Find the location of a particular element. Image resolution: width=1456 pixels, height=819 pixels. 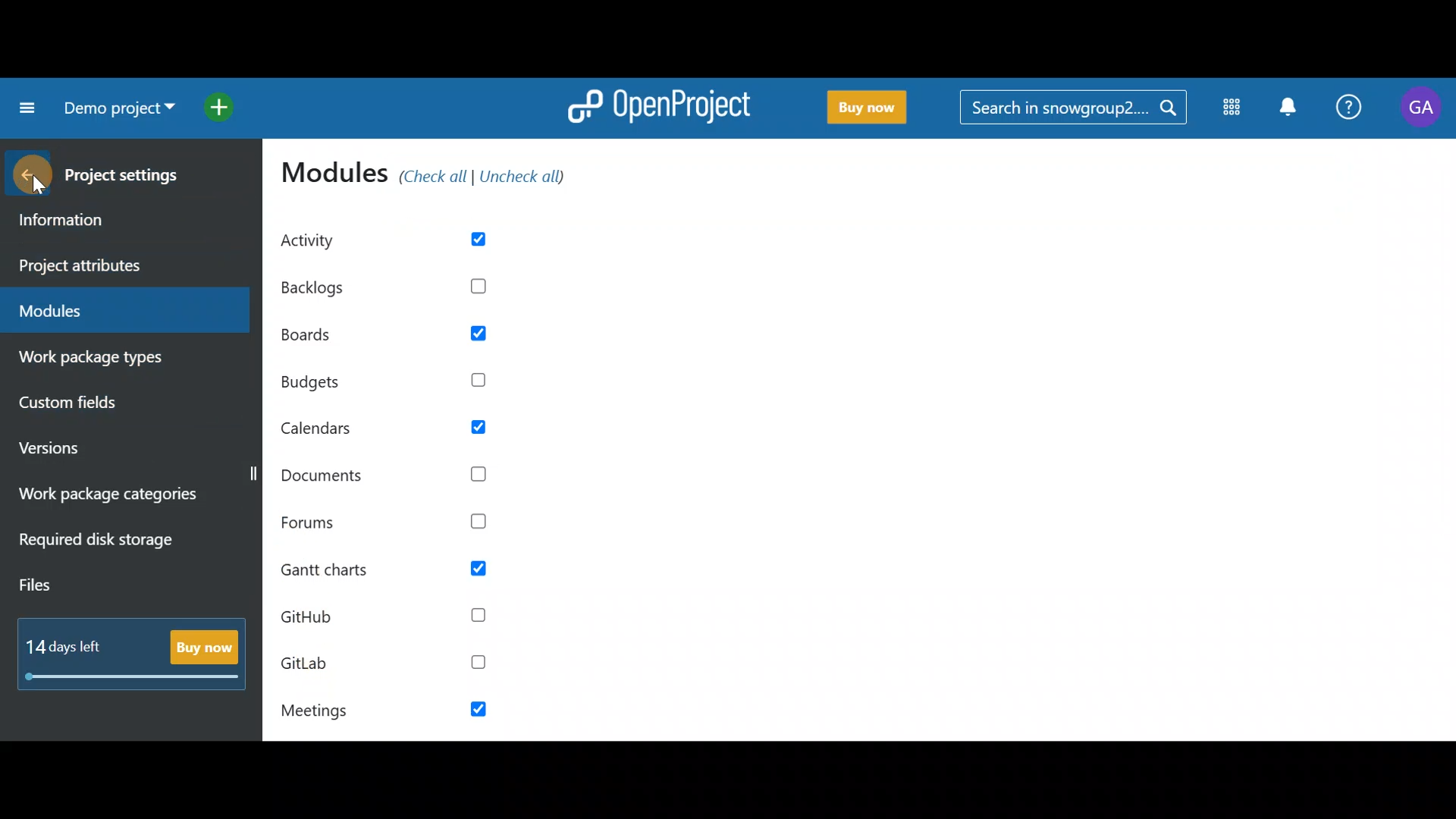

Work package categories is located at coordinates (121, 497).